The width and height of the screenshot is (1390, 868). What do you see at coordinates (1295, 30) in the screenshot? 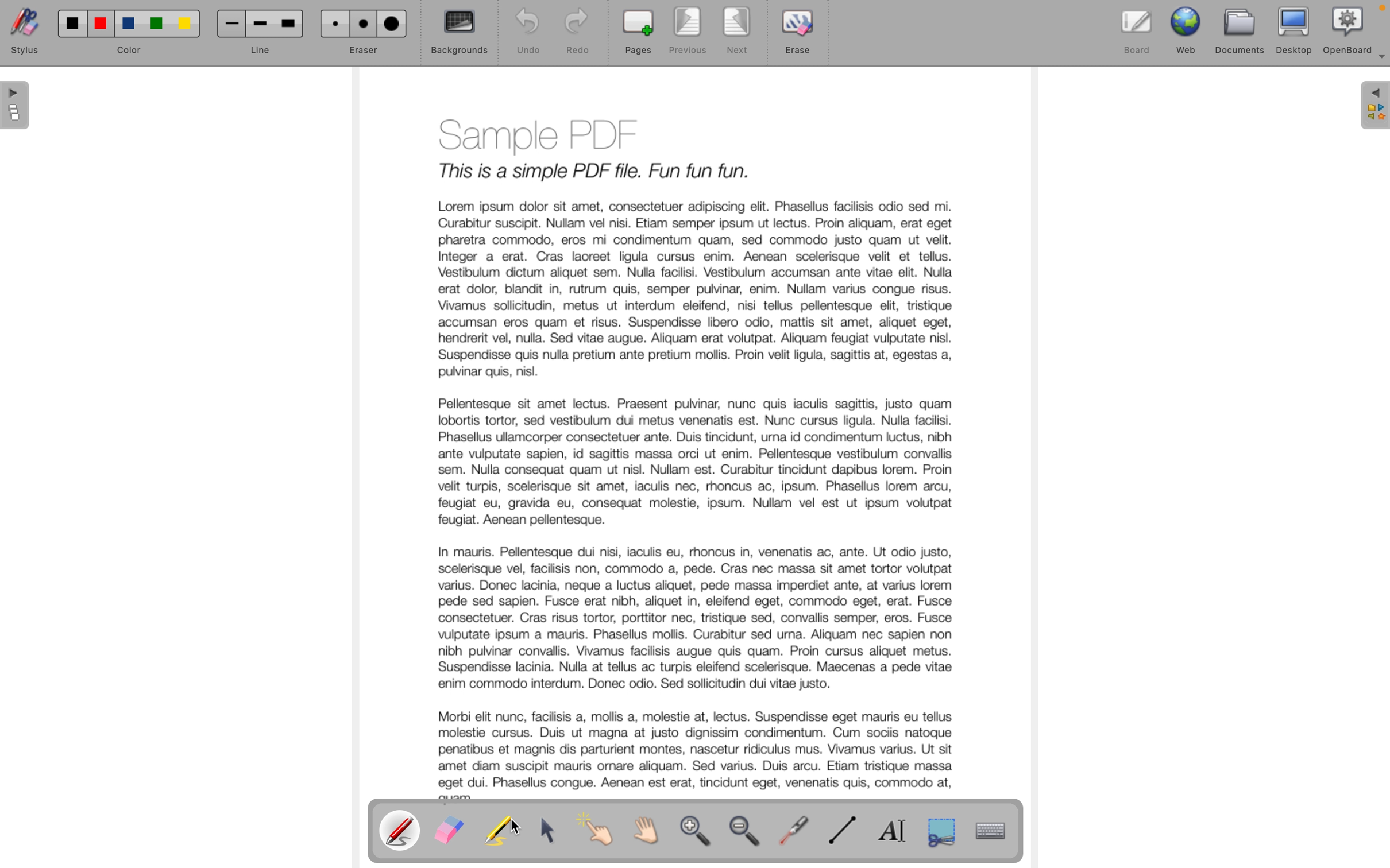
I see `desktop` at bounding box center [1295, 30].